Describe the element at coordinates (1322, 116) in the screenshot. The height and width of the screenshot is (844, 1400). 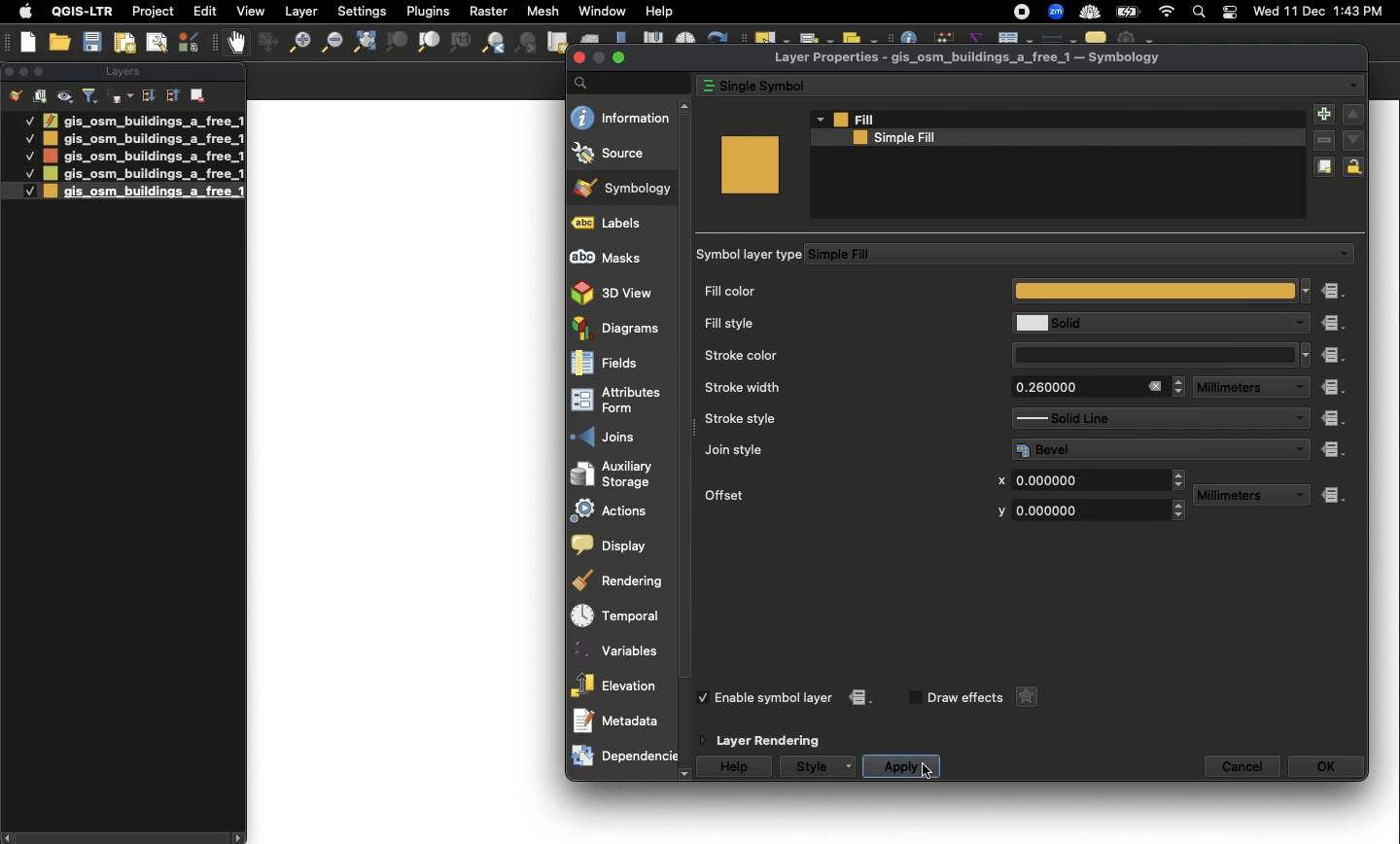
I see `Add` at that location.